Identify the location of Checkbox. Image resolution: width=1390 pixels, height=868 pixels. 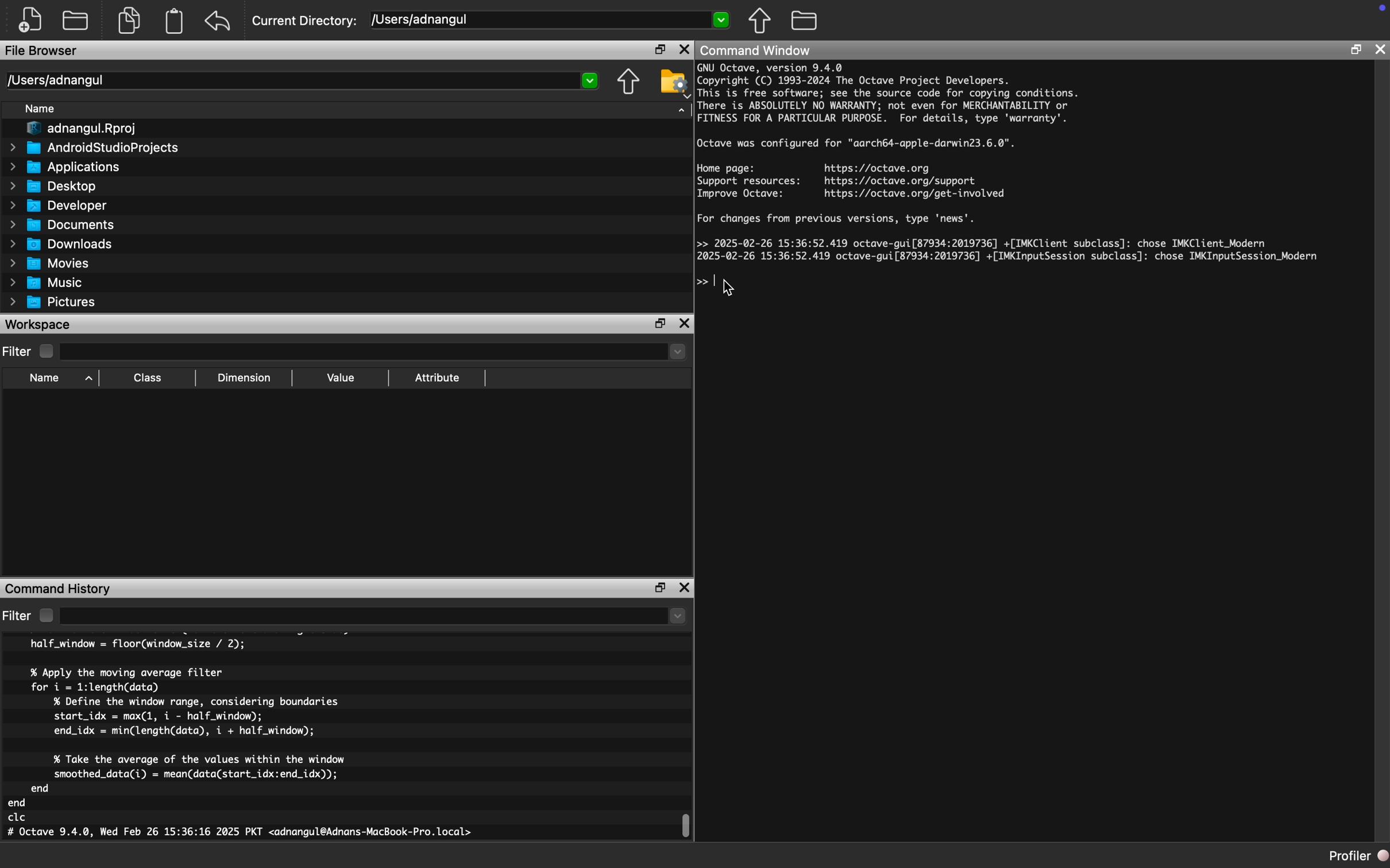
(46, 351).